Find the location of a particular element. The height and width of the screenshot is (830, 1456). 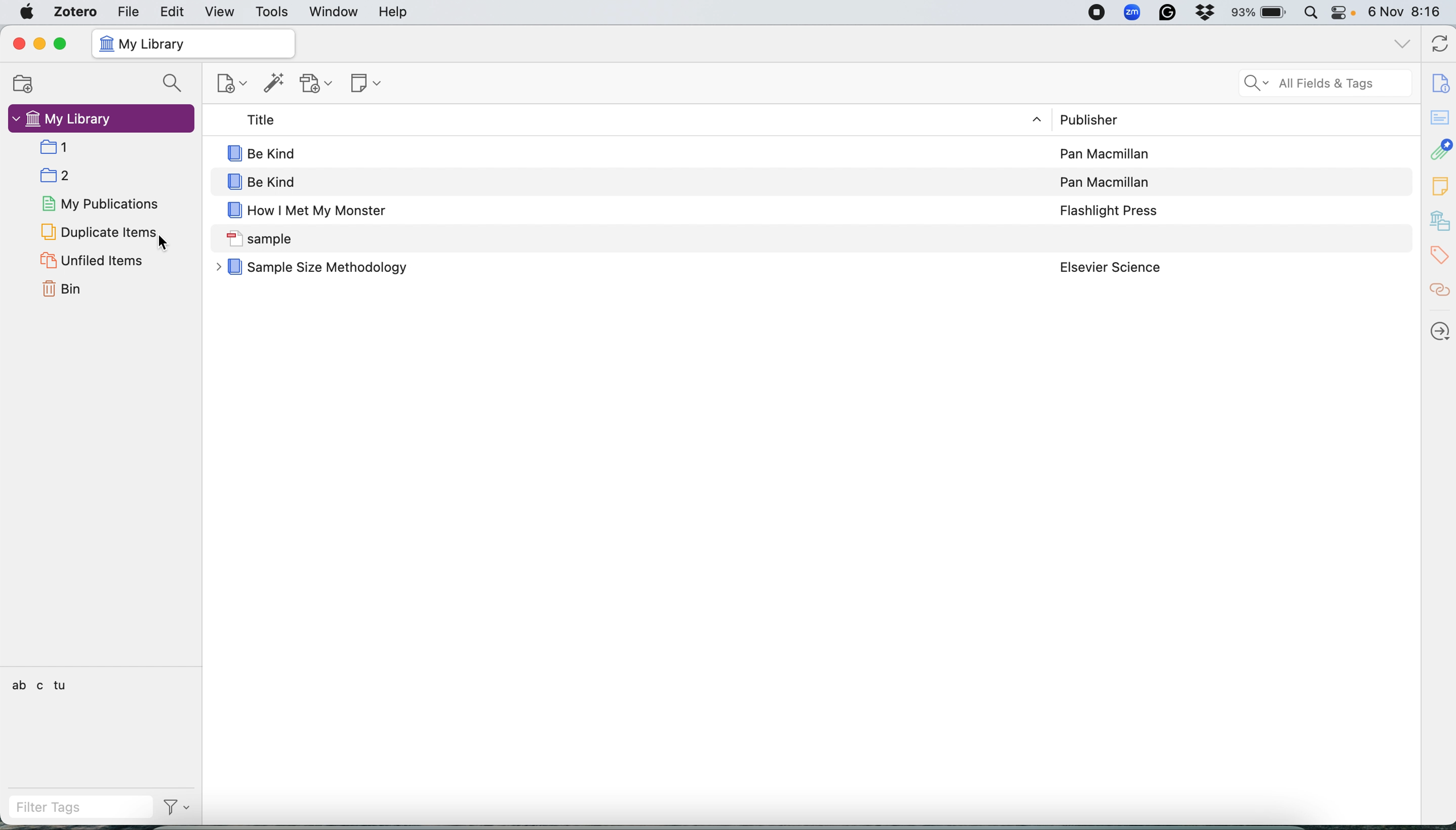

Filter is located at coordinates (176, 809).